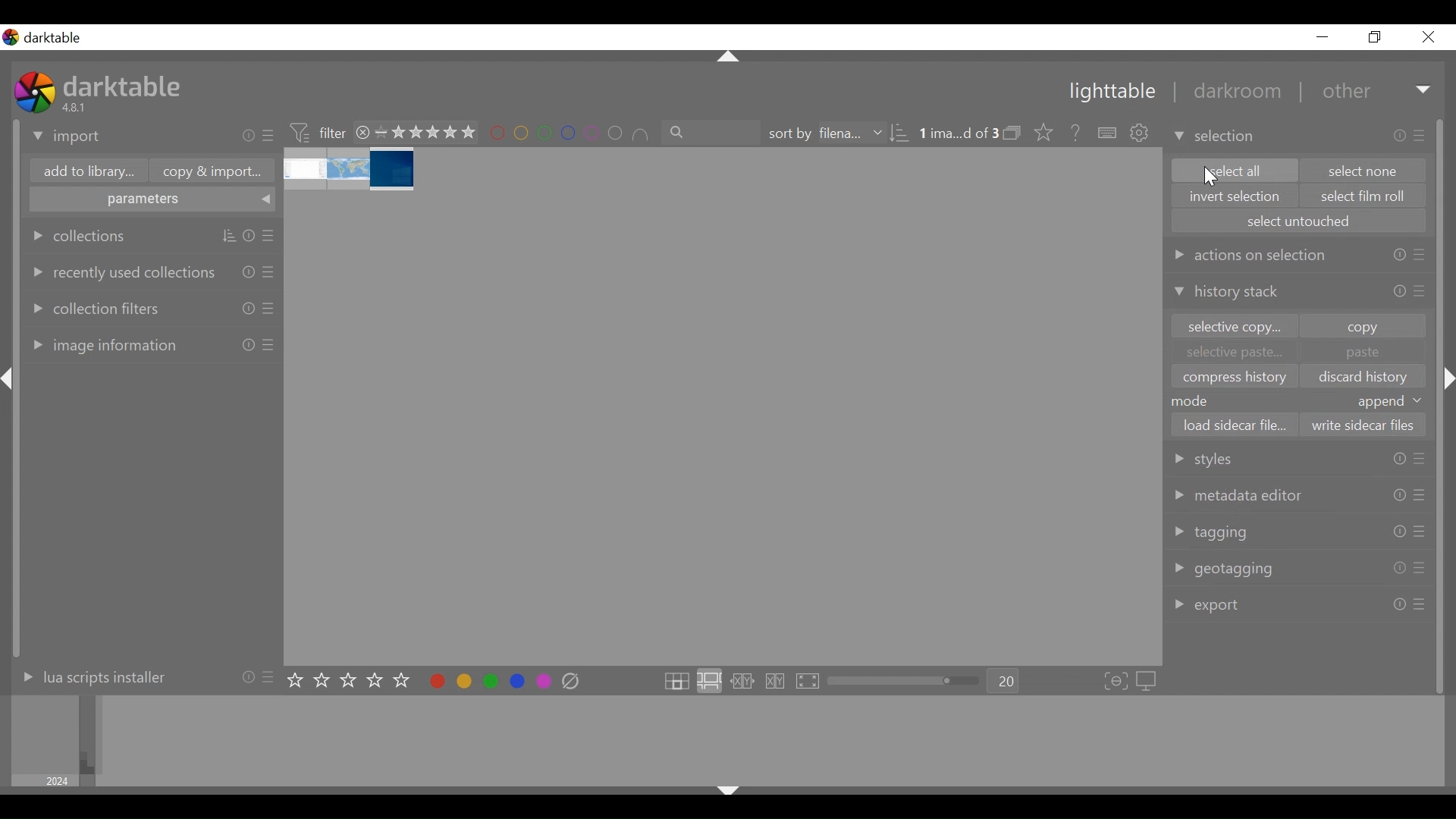  What do you see at coordinates (676, 682) in the screenshot?
I see `click to enter filemanger` at bounding box center [676, 682].